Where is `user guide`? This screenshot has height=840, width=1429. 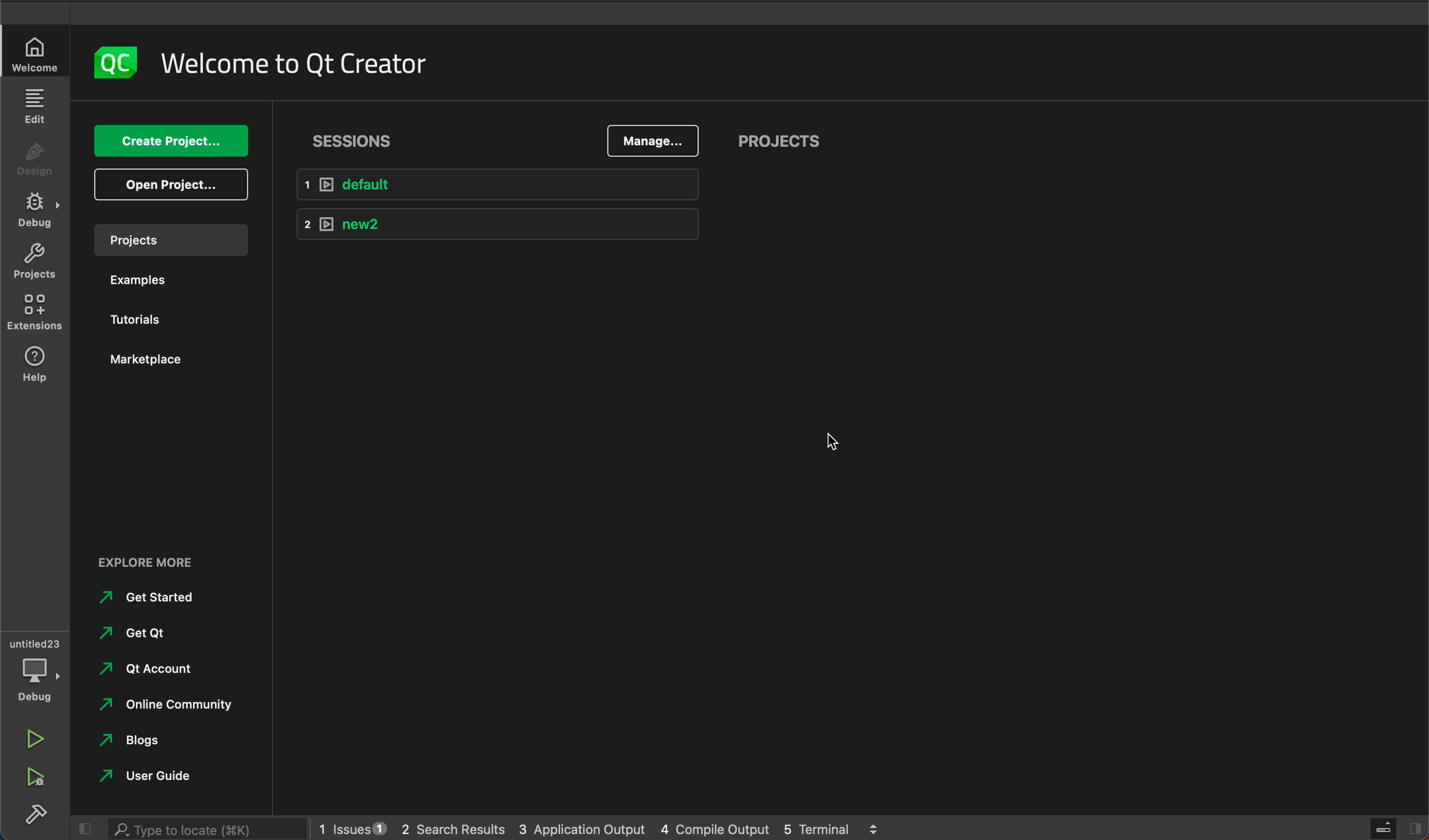 user guide is located at coordinates (158, 777).